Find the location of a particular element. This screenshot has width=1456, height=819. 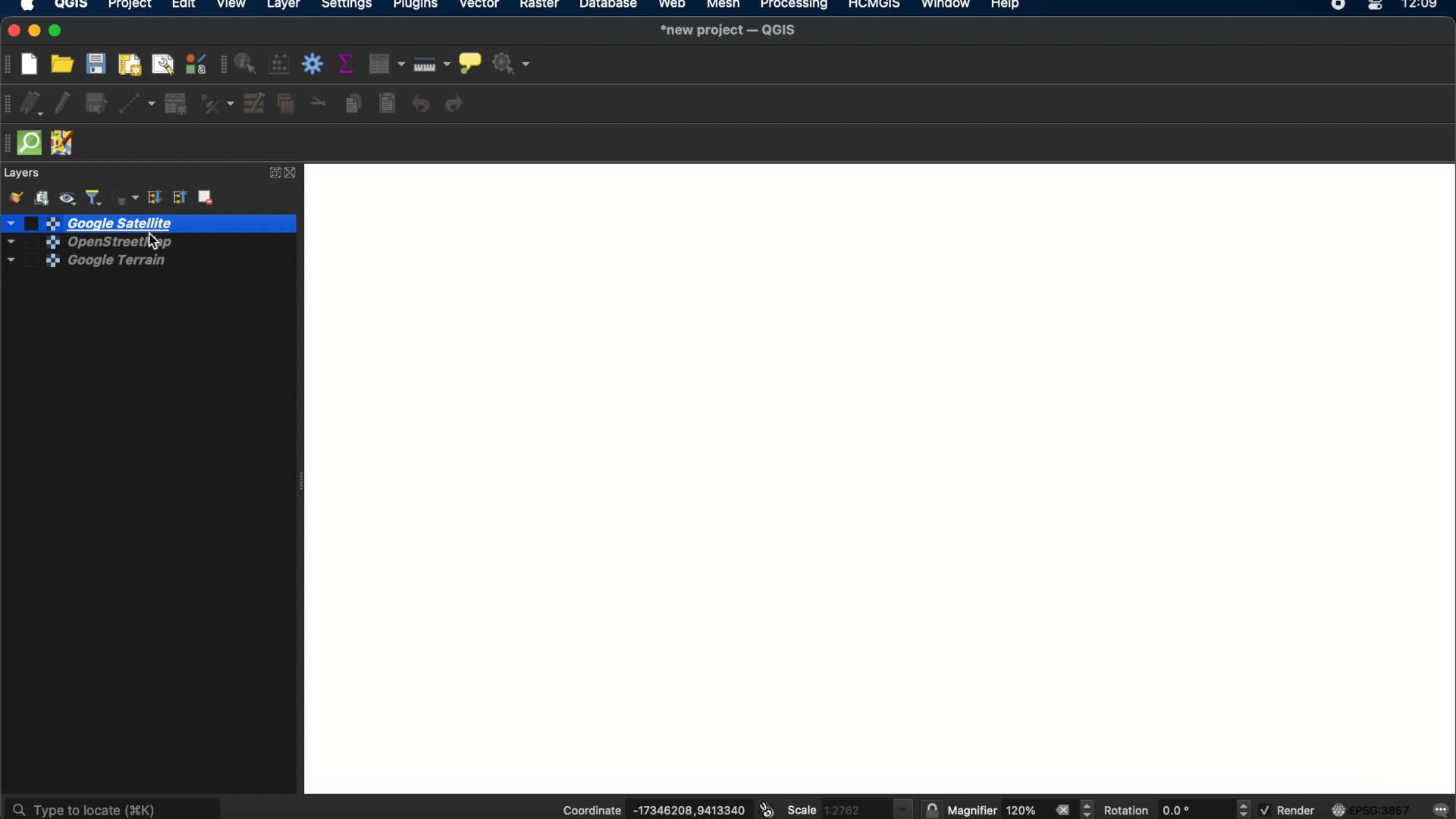

QGIS is located at coordinates (71, 6).